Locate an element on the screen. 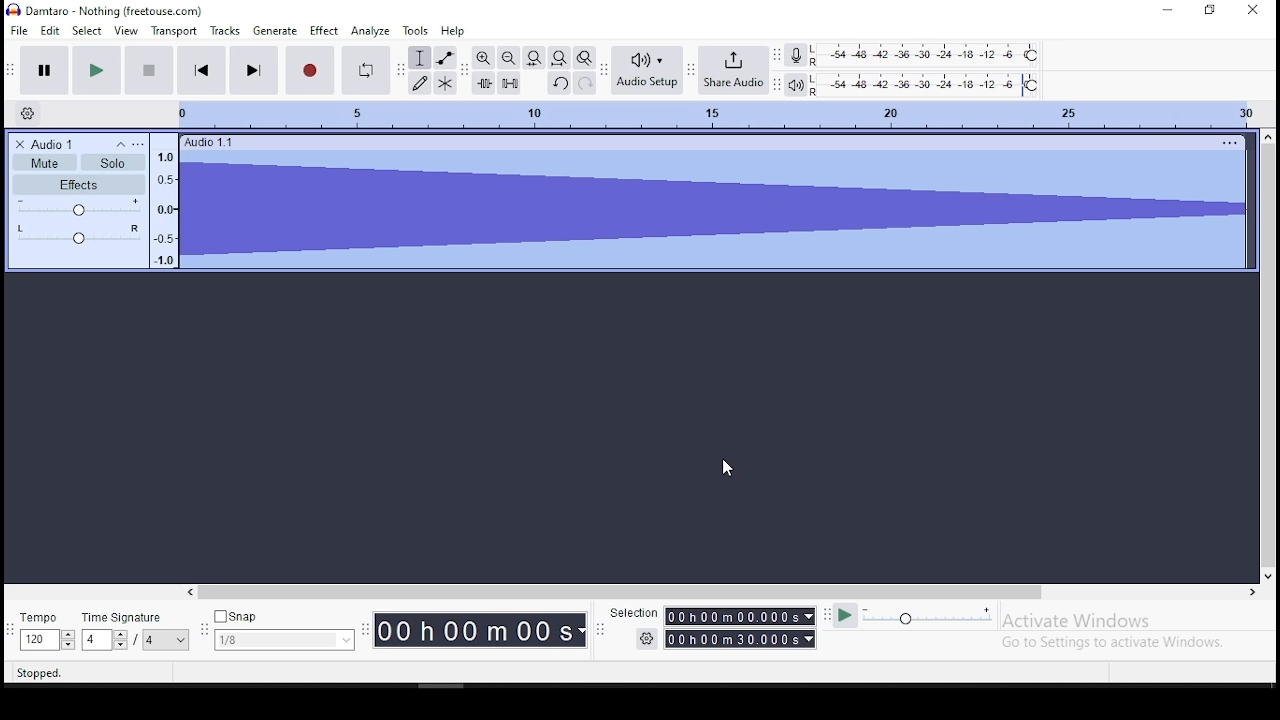 The image size is (1280, 720). playback level is located at coordinates (927, 85).